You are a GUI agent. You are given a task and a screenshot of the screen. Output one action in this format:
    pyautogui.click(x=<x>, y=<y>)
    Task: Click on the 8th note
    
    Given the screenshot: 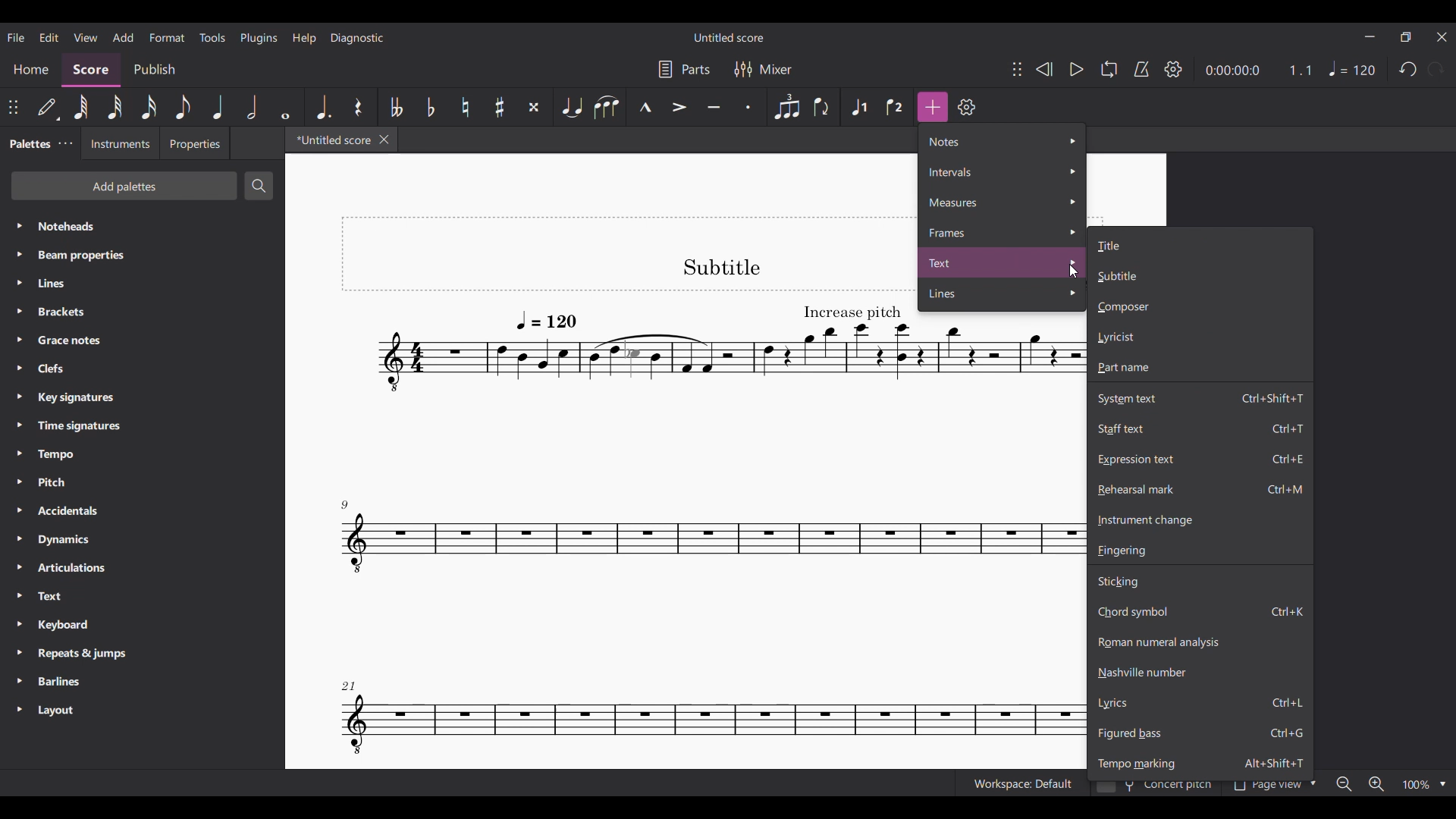 What is the action you would take?
    pyautogui.click(x=182, y=107)
    